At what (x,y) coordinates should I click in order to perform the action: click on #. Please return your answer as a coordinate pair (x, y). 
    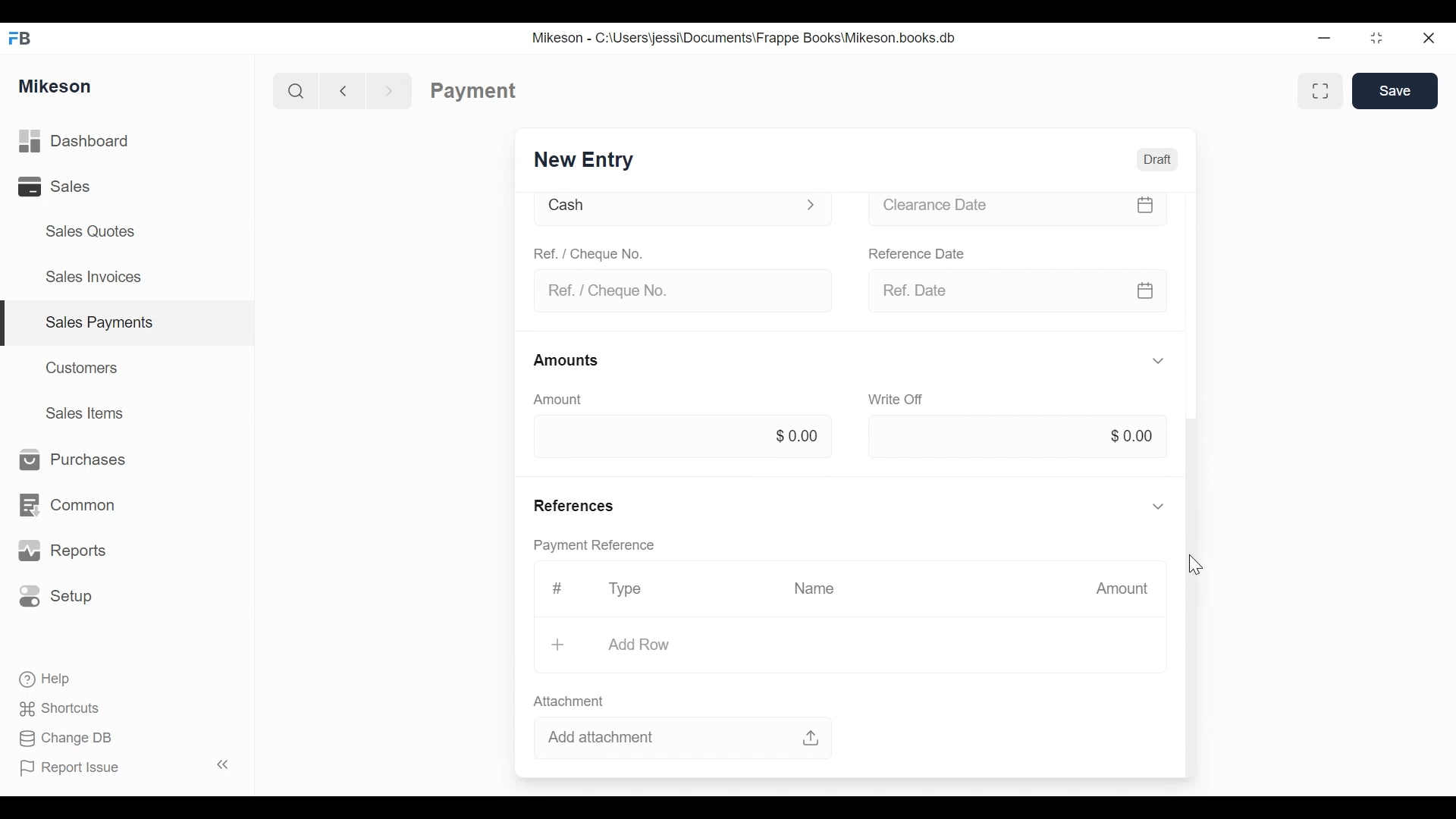
    Looking at the image, I should click on (557, 585).